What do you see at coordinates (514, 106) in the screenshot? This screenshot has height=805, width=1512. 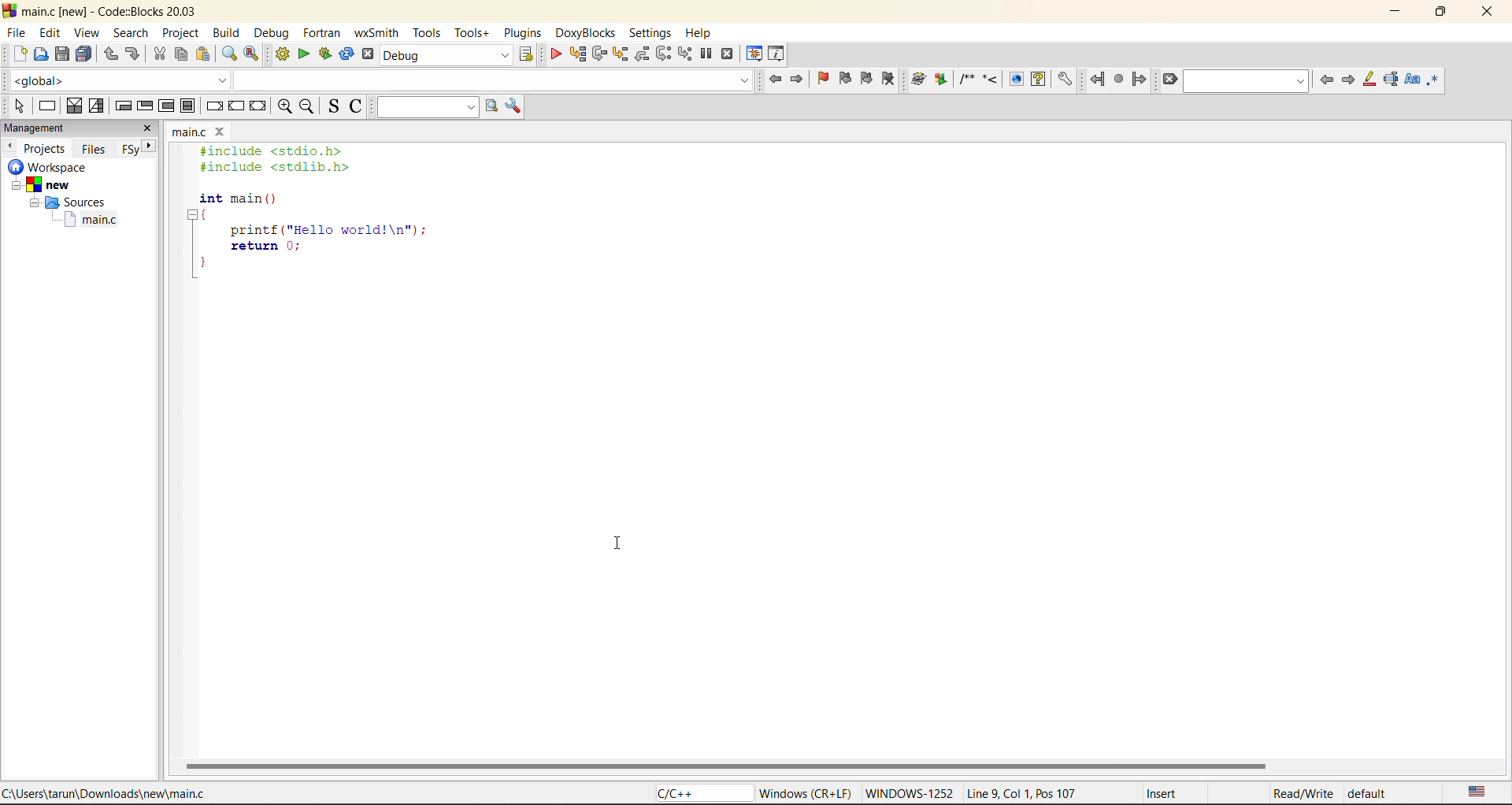 I see `show options window` at bounding box center [514, 106].